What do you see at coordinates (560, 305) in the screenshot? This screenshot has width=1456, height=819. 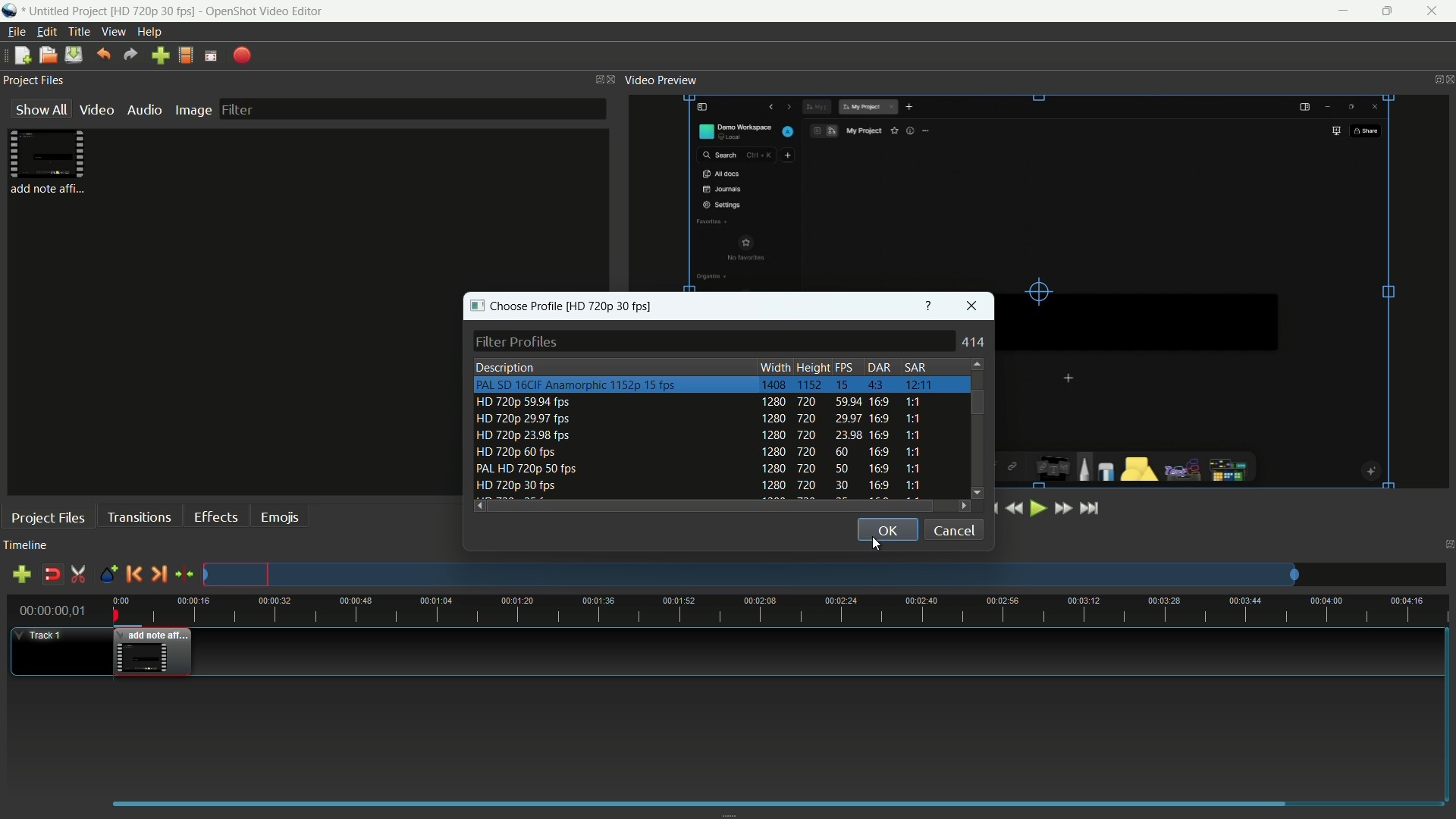 I see `choose profile` at bounding box center [560, 305].